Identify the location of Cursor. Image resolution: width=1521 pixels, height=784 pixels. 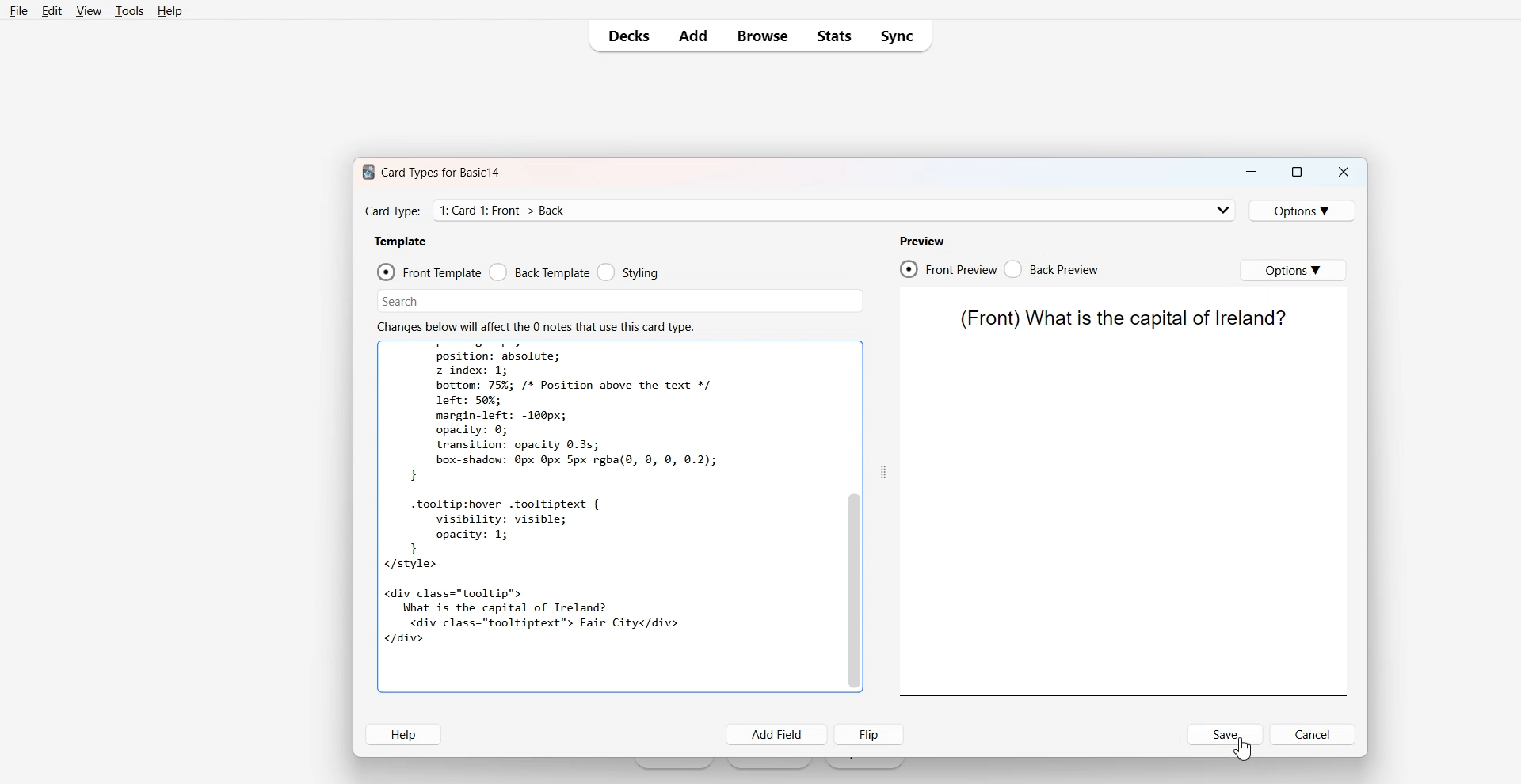
(1243, 750).